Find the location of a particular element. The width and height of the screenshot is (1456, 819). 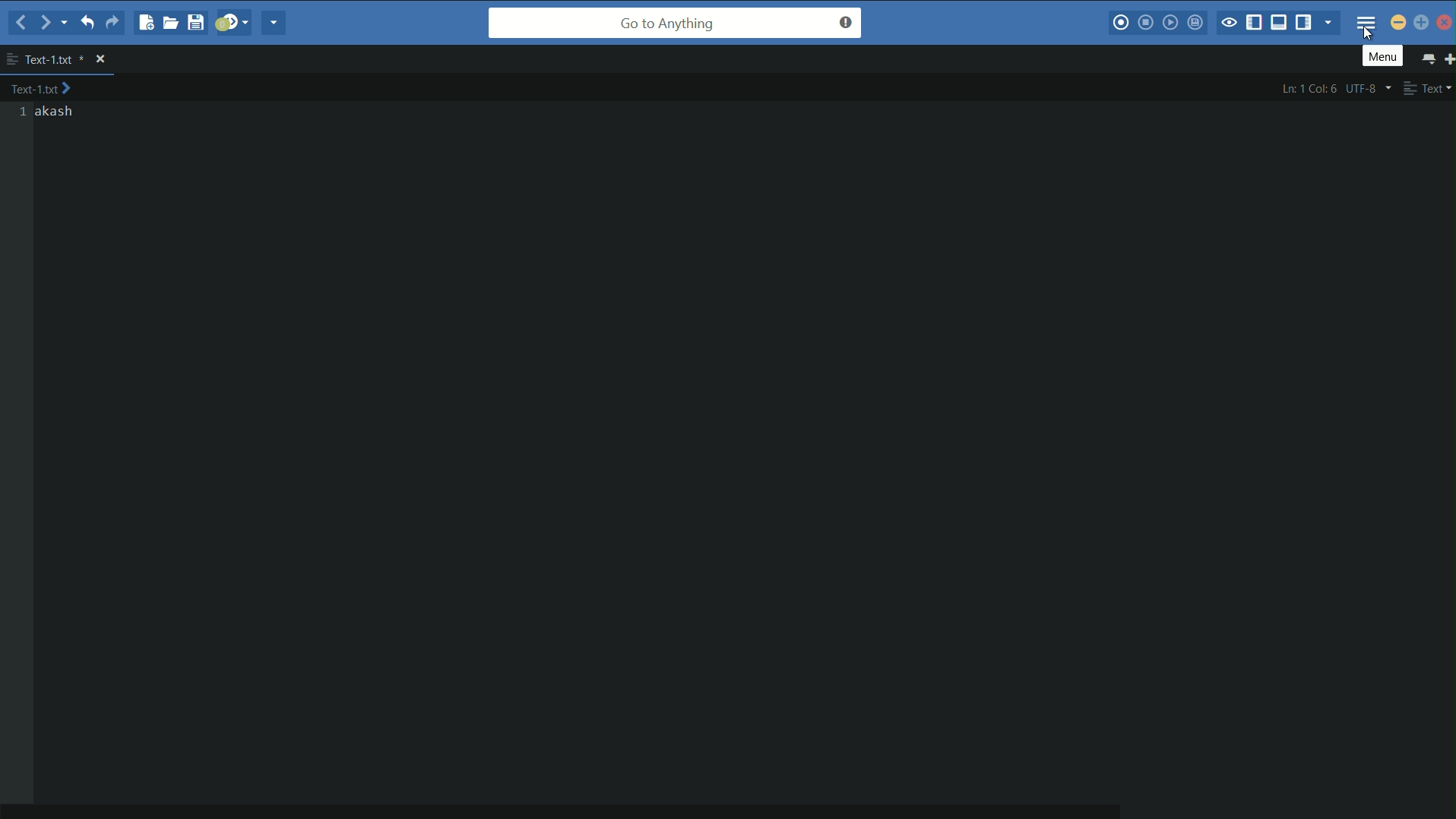

new file is located at coordinates (144, 22).